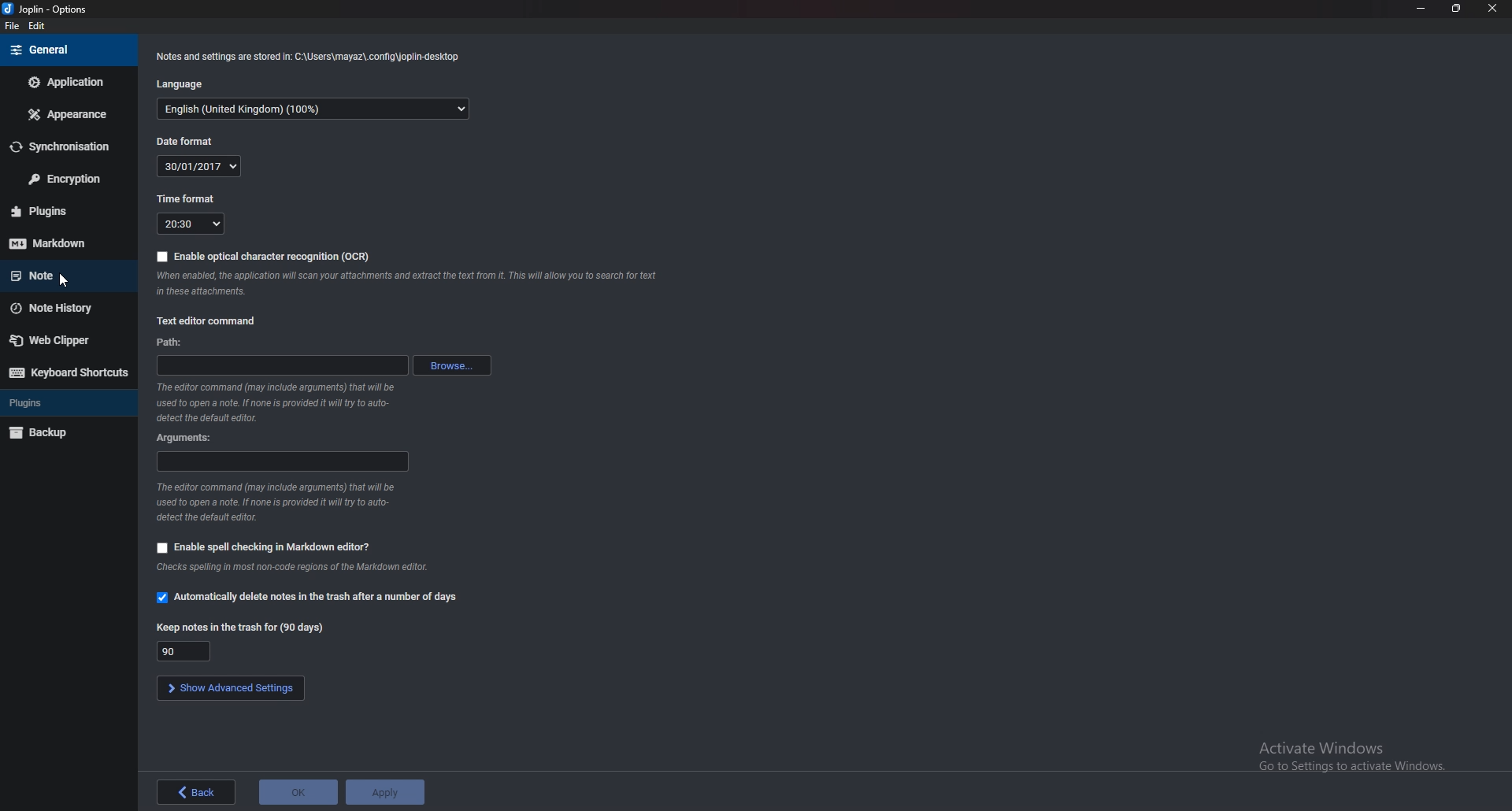 Image resolution: width=1512 pixels, height=811 pixels. Describe the element at coordinates (189, 435) in the screenshot. I see `arguments` at that location.